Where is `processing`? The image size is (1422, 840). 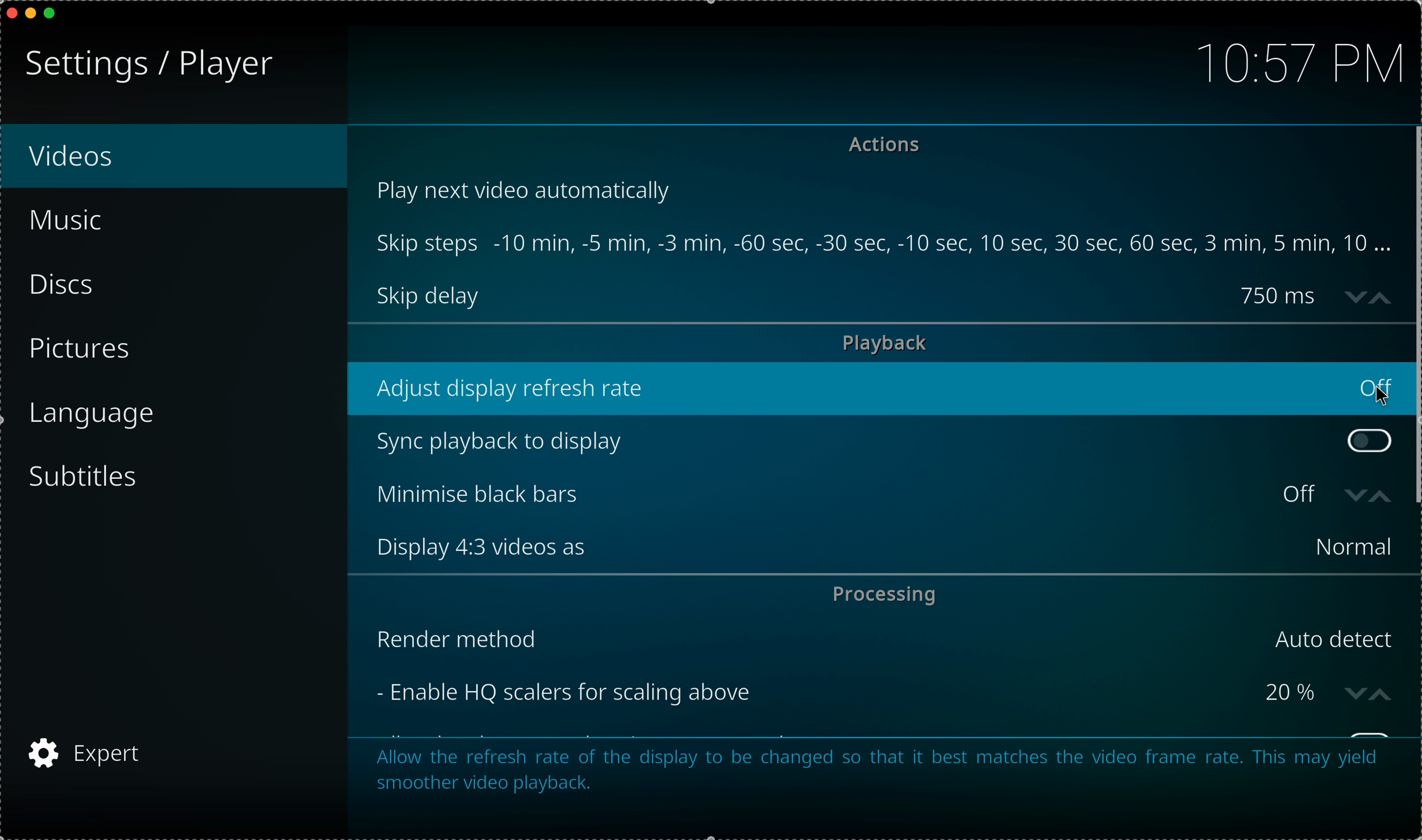 processing is located at coordinates (883, 594).